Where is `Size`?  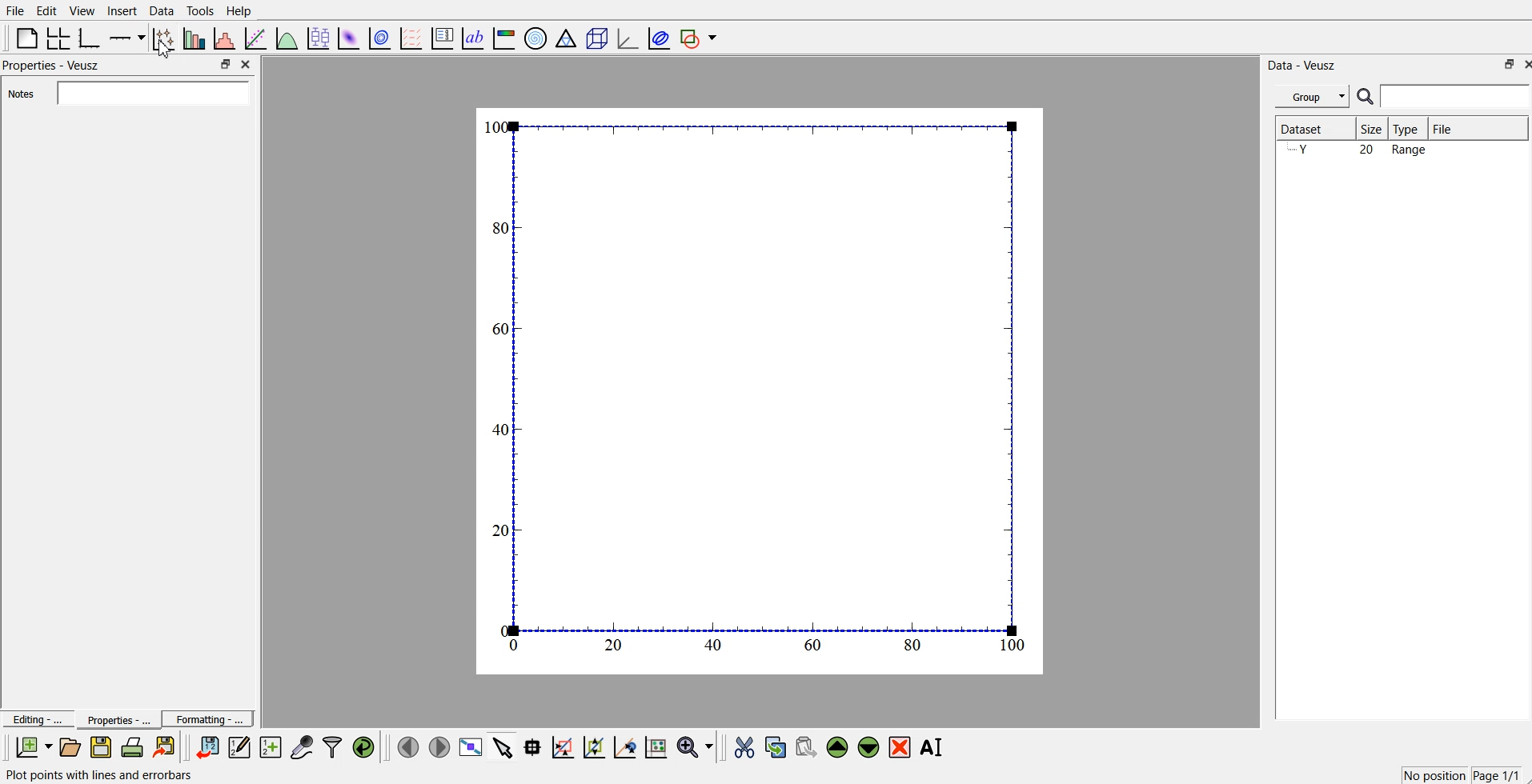
Size is located at coordinates (1372, 129).